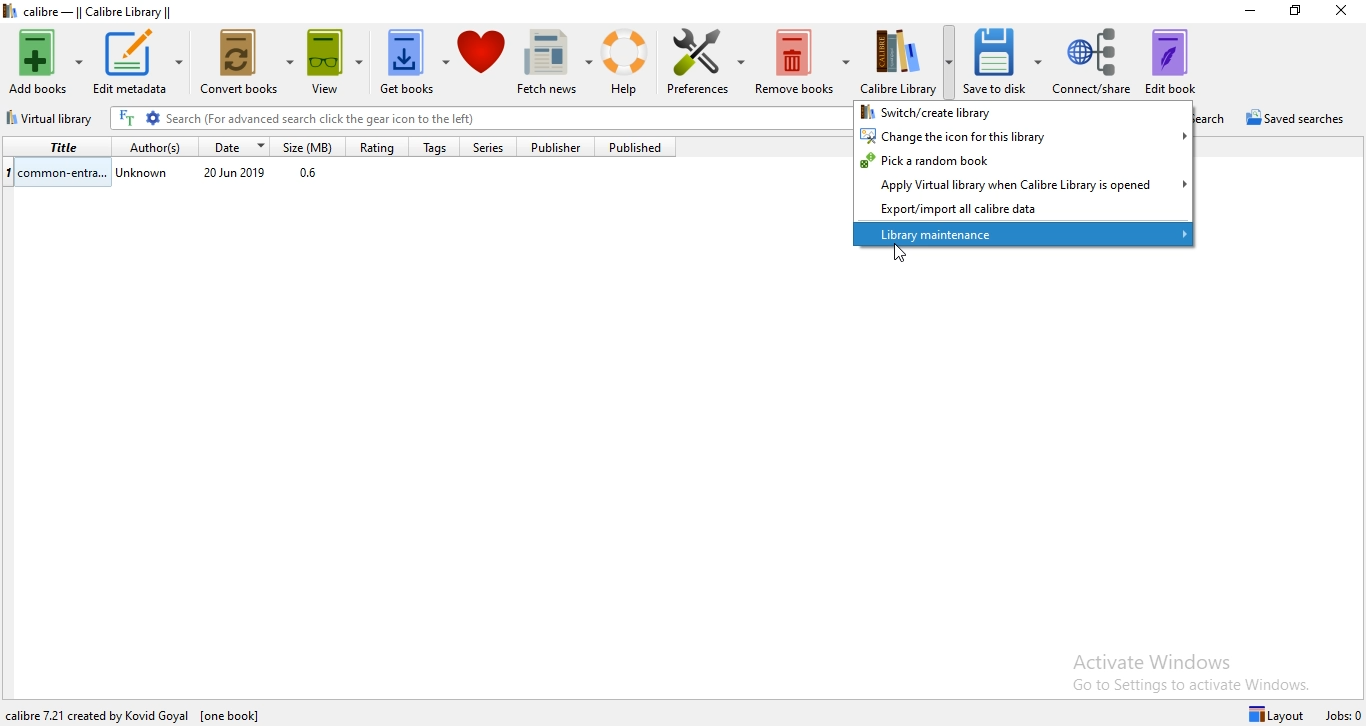 The width and height of the screenshot is (1366, 726). I want to click on Remove books, so click(802, 63).